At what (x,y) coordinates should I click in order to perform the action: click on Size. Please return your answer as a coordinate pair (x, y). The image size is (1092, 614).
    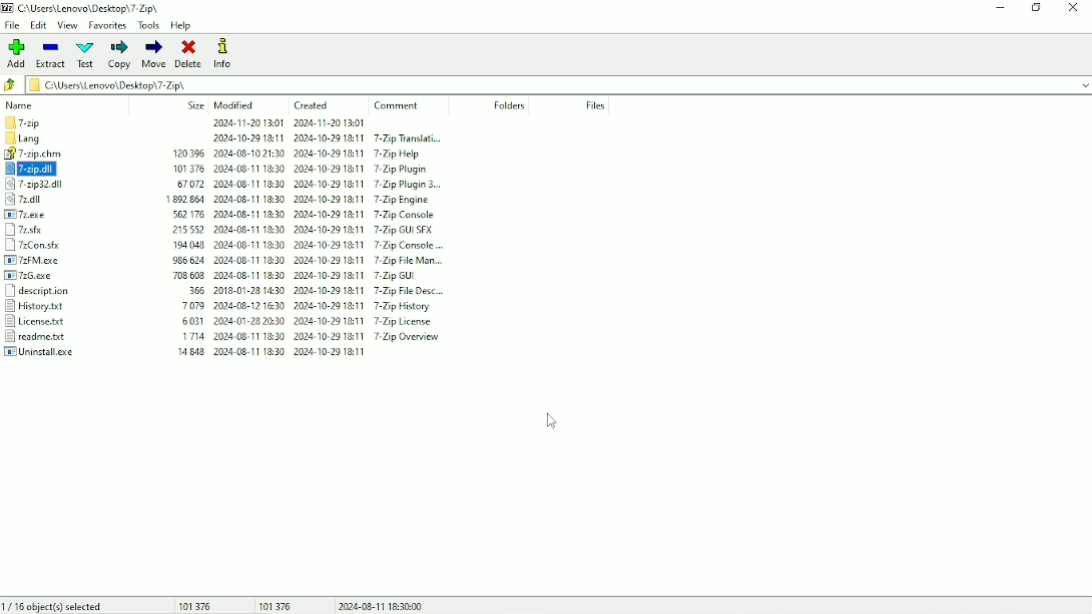
    Looking at the image, I should click on (196, 105).